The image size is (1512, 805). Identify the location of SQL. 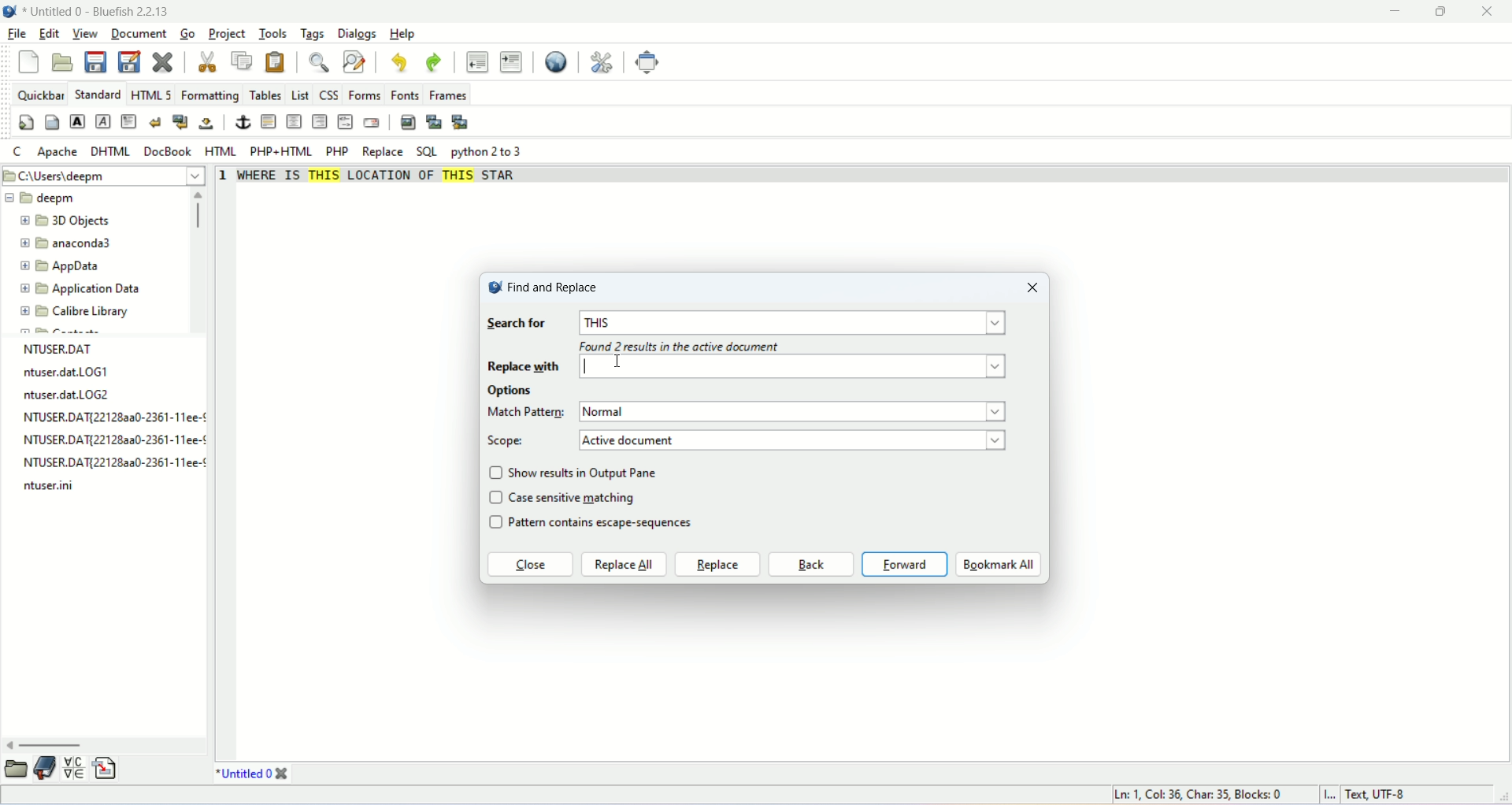
(426, 152).